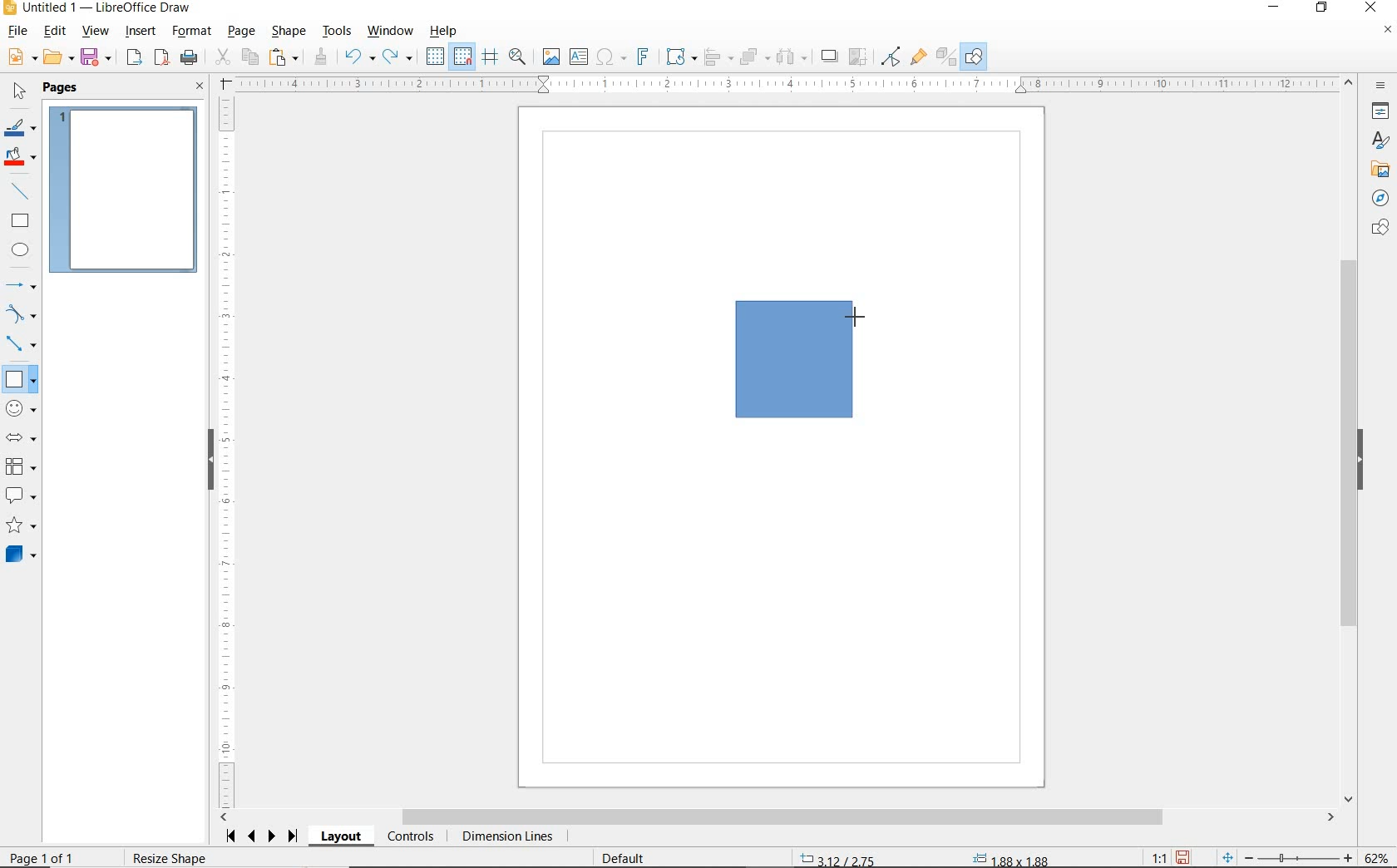  Describe the element at coordinates (284, 57) in the screenshot. I see `PASTE` at that location.